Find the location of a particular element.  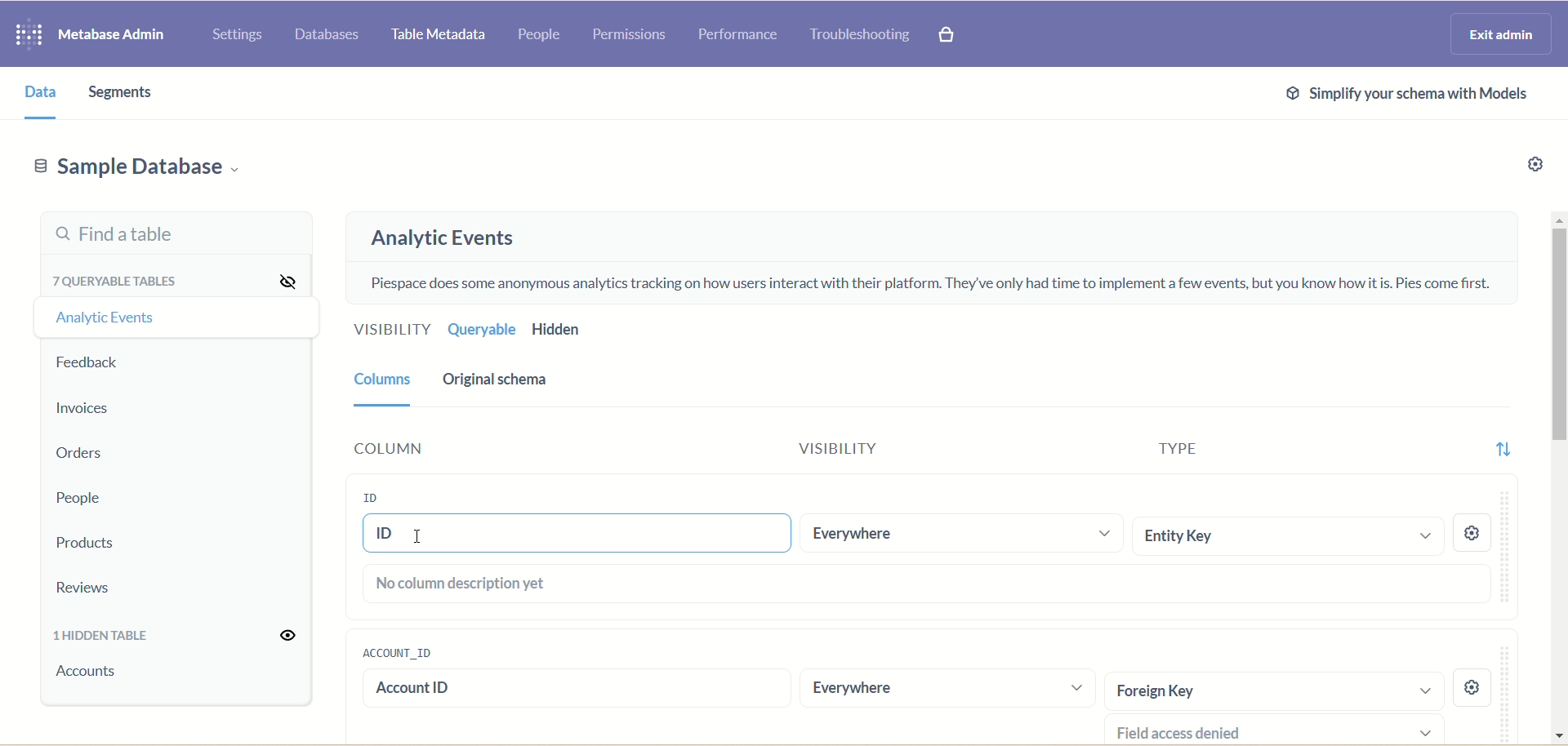

Metabase admin is located at coordinates (118, 36).